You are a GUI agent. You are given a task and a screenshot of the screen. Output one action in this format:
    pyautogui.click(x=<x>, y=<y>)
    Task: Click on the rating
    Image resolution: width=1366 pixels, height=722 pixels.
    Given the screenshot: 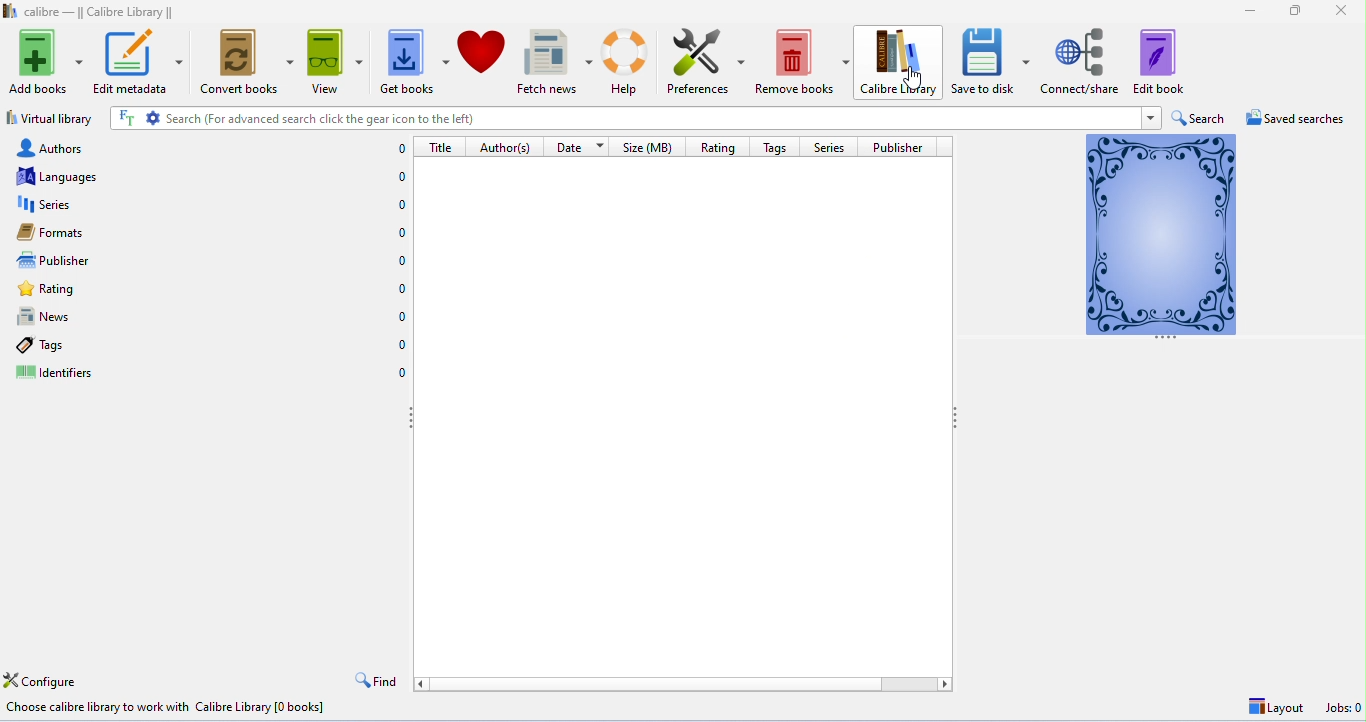 What is the action you would take?
    pyautogui.click(x=210, y=289)
    